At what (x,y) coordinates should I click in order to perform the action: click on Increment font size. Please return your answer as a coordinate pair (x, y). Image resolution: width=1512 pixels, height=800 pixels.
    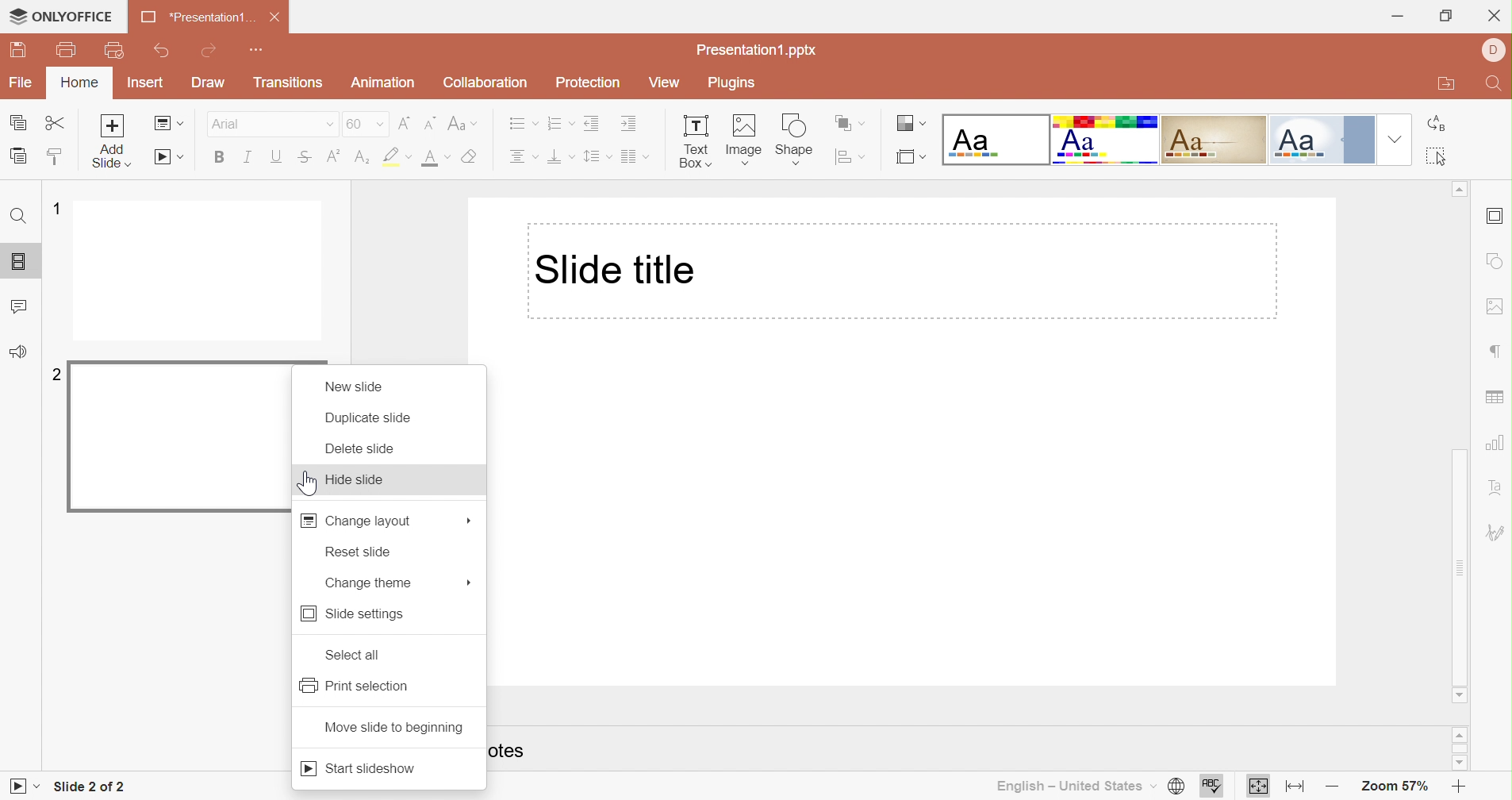
    Looking at the image, I should click on (404, 123).